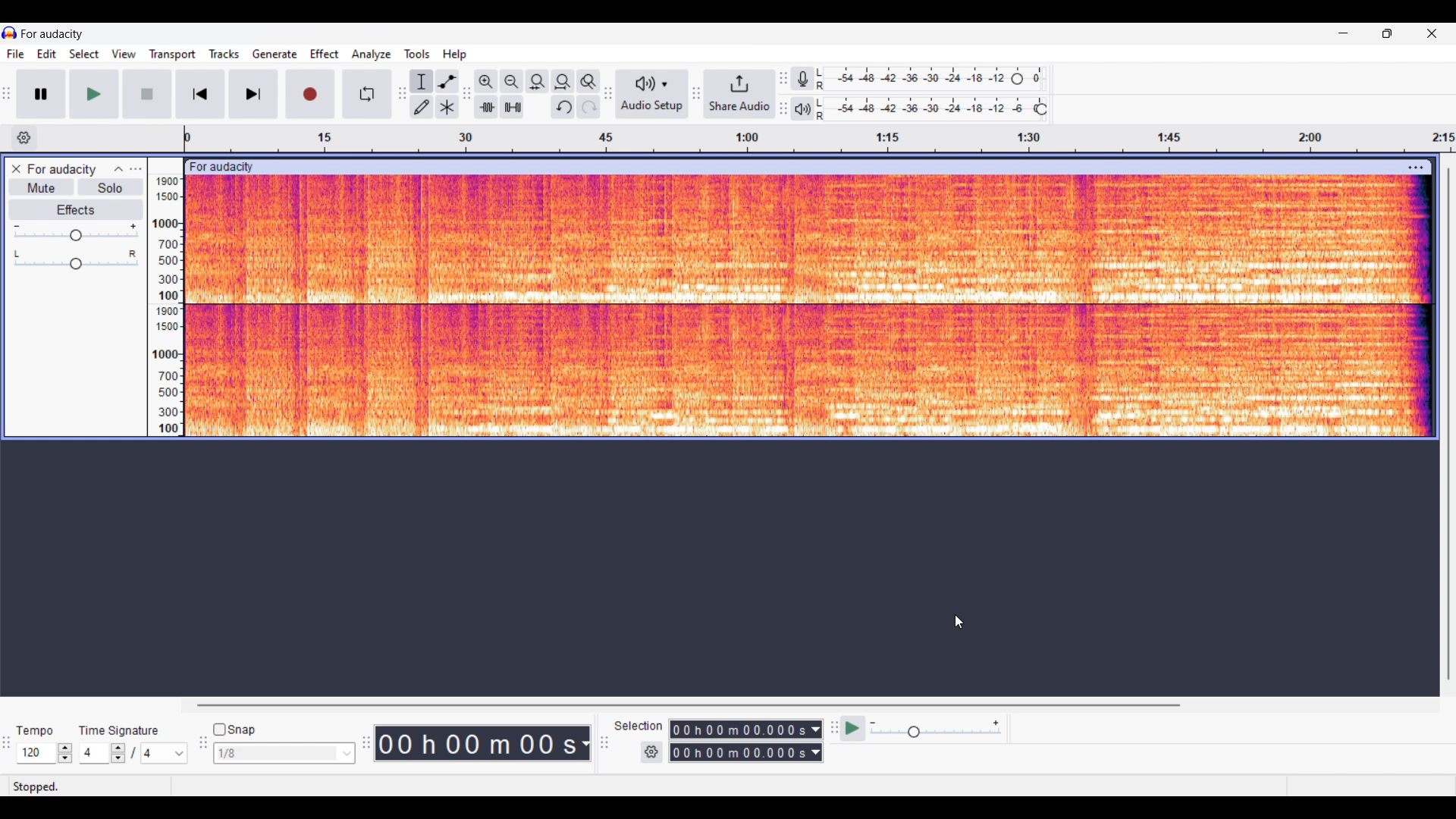 The width and height of the screenshot is (1456, 819). What do you see at coordinates (692, 705) in the screenshot?
I see `Horizontal slide bar` at bounding box center [692, 705].